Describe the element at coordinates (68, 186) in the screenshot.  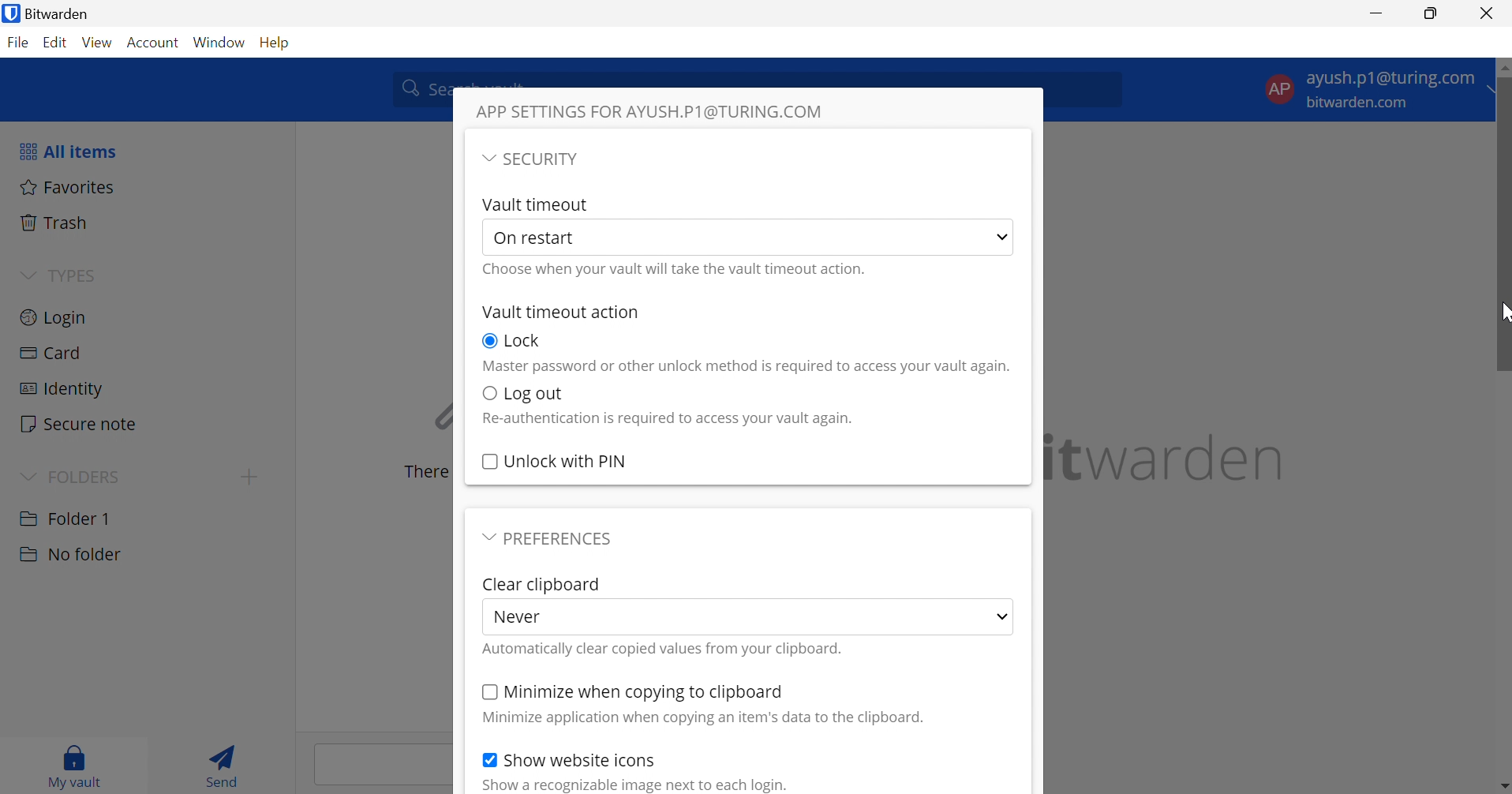
I see `Favorites` at that location.